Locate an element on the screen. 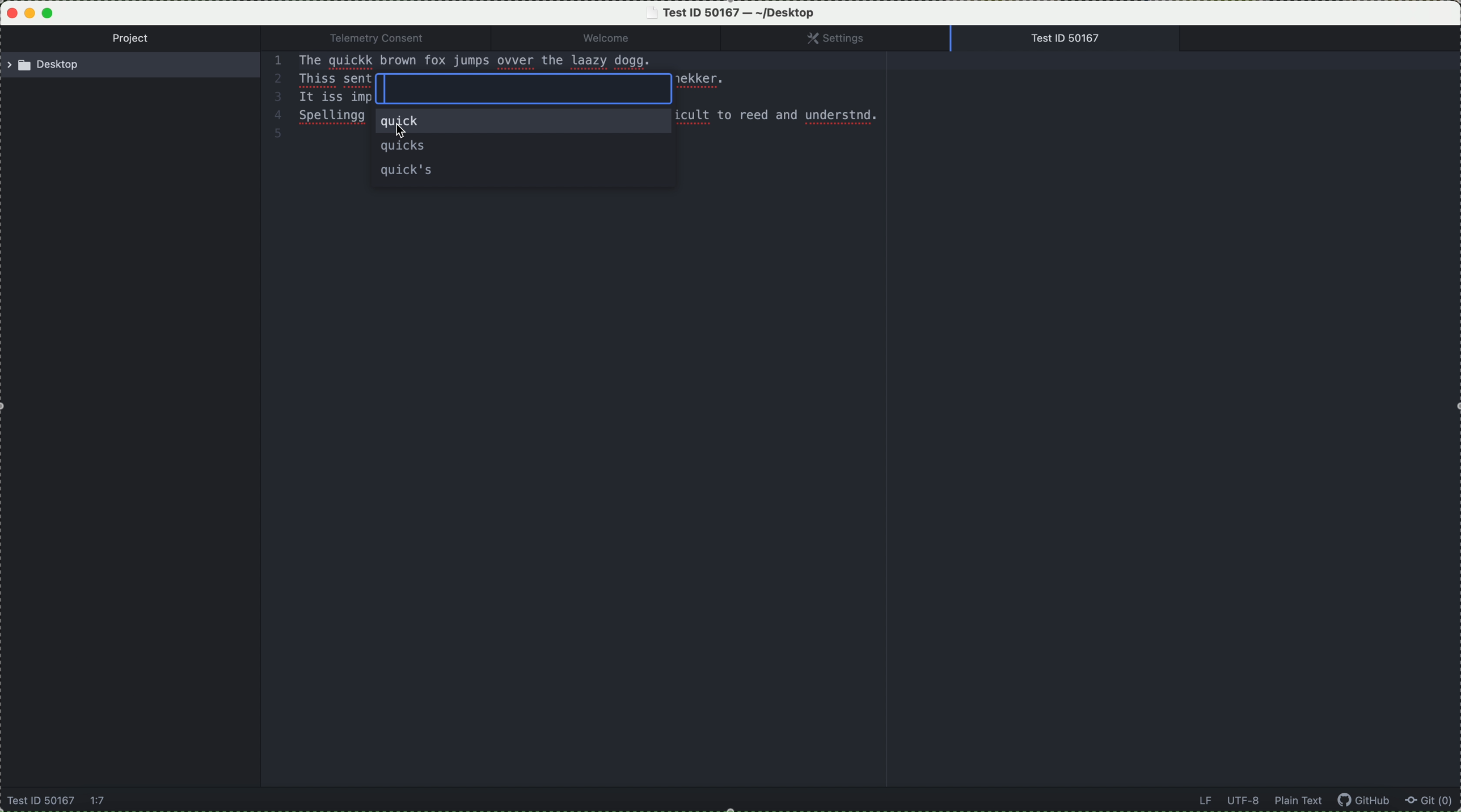 Image resolution: width=1461 pixels, height=812 pixels. cursor is located at coordinates (408, 134).